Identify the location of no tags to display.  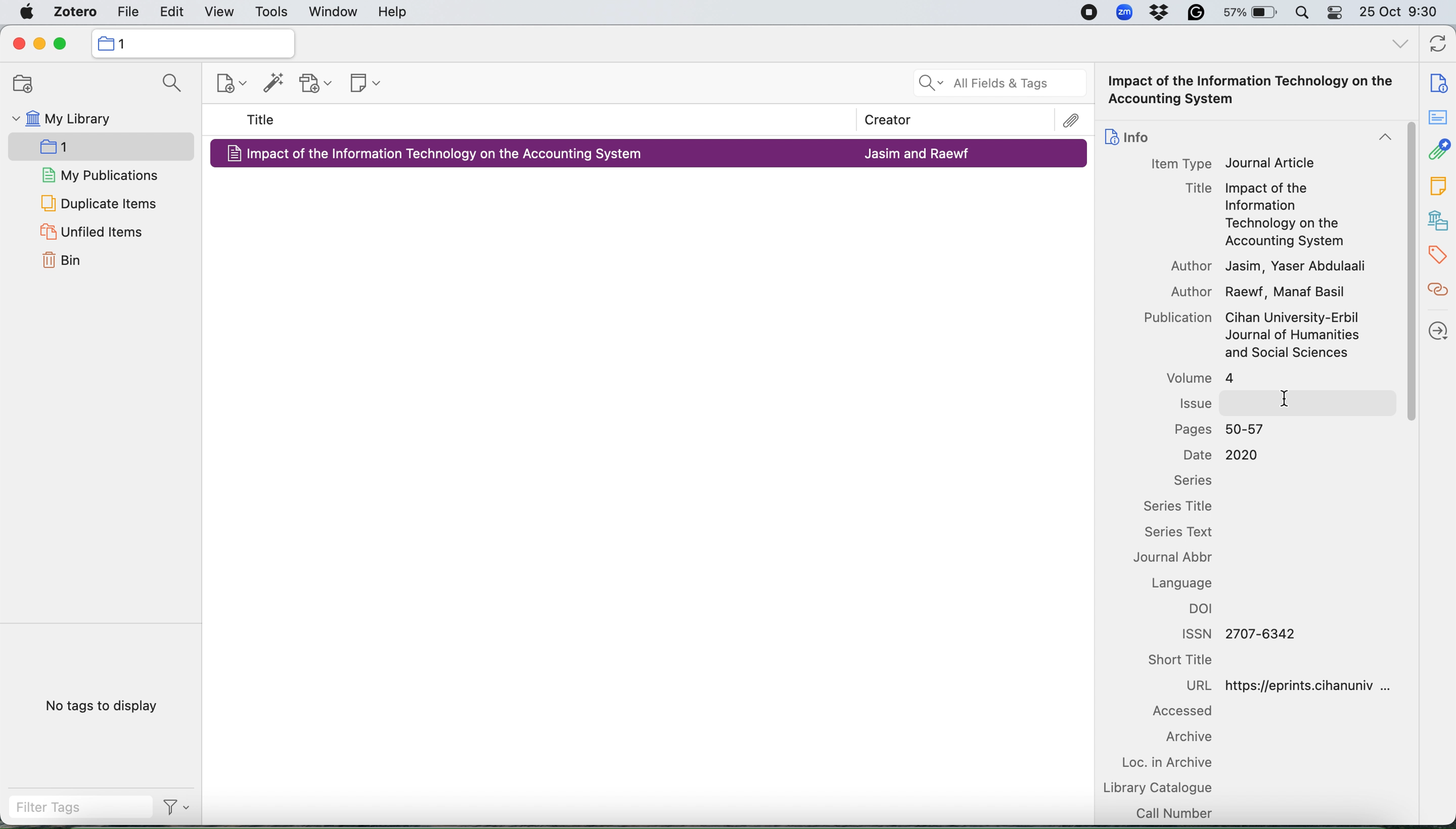
(99, 706).